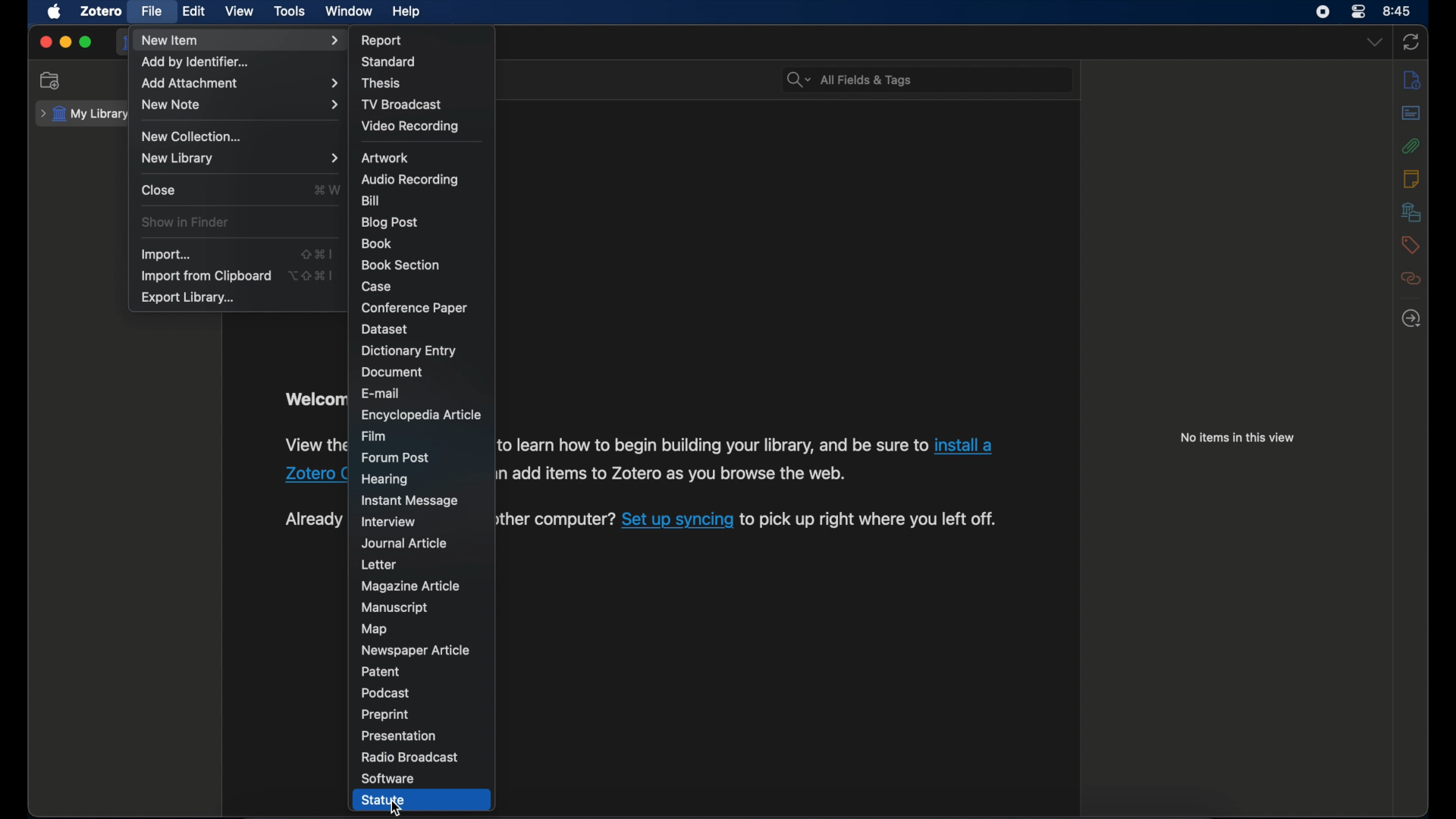 Image resolution: width=1456 pixels, height=819 pixels. What do you see at coordinates (409, 126) in the screenshot?
I see `video recording` at bounding box center [409, 126].